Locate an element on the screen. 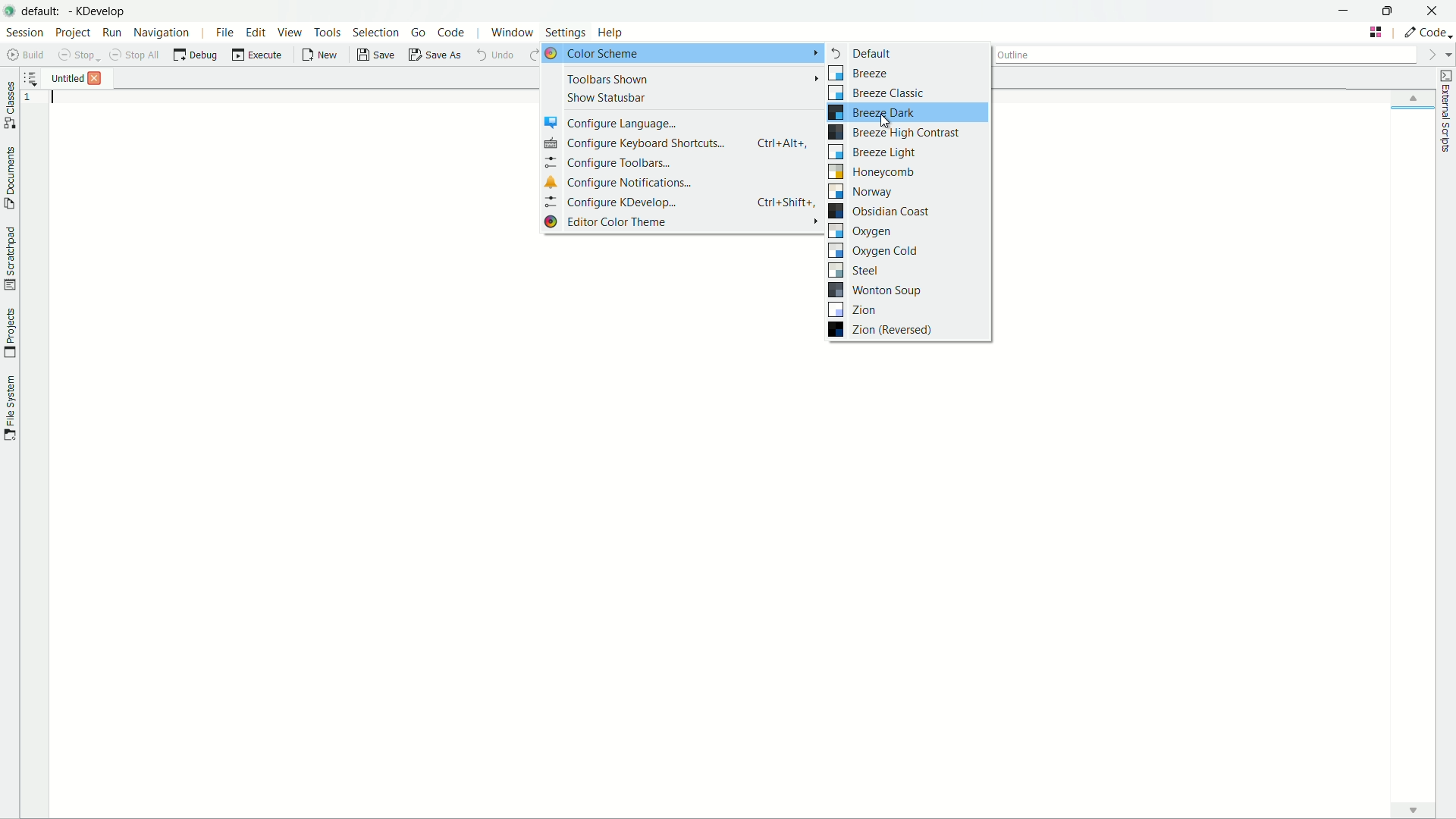  untitled is located at coordinates (69, 78).